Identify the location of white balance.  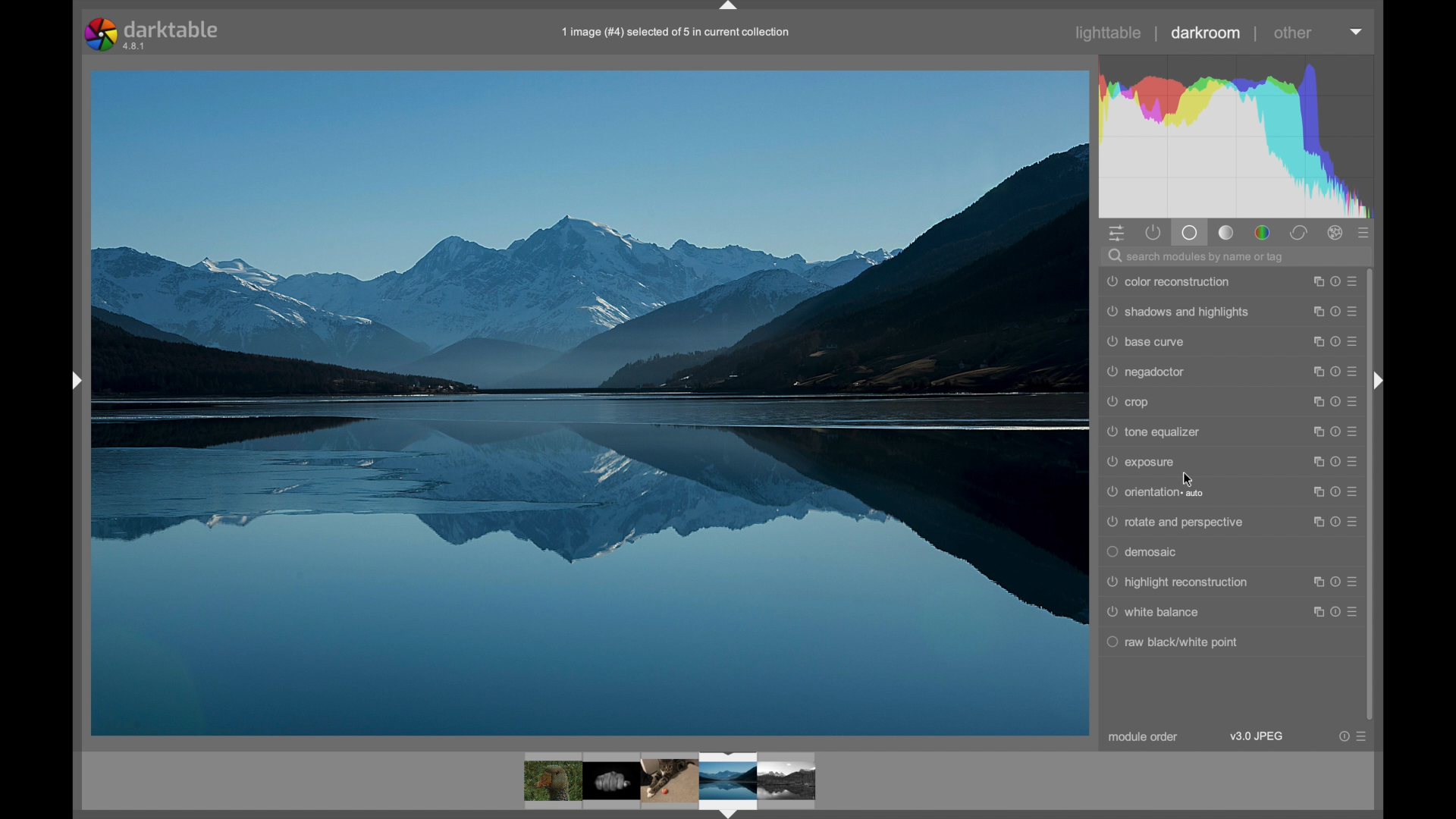
(1154, 612).